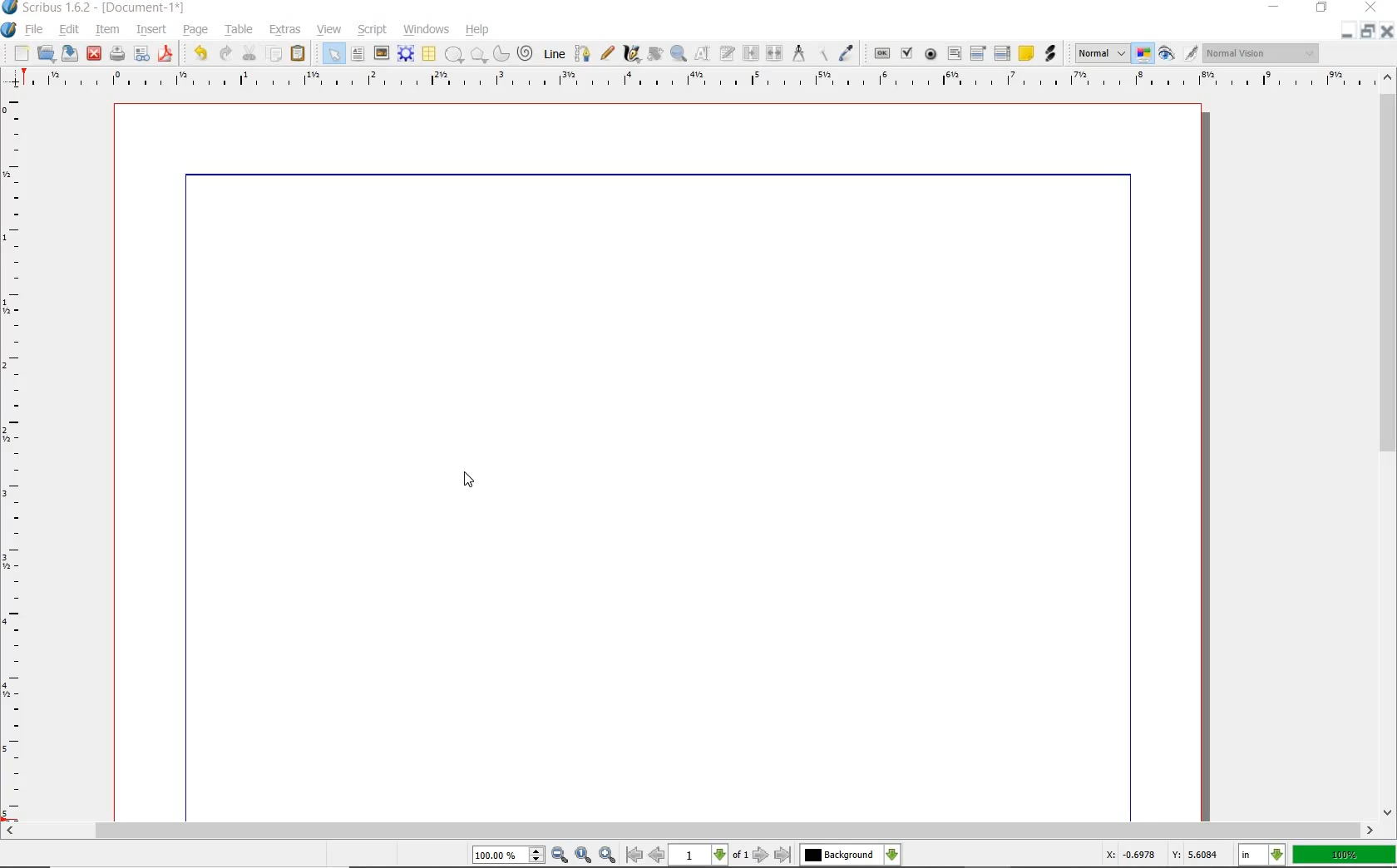  I want to click on TEXT FRAME, so click(358, 53).